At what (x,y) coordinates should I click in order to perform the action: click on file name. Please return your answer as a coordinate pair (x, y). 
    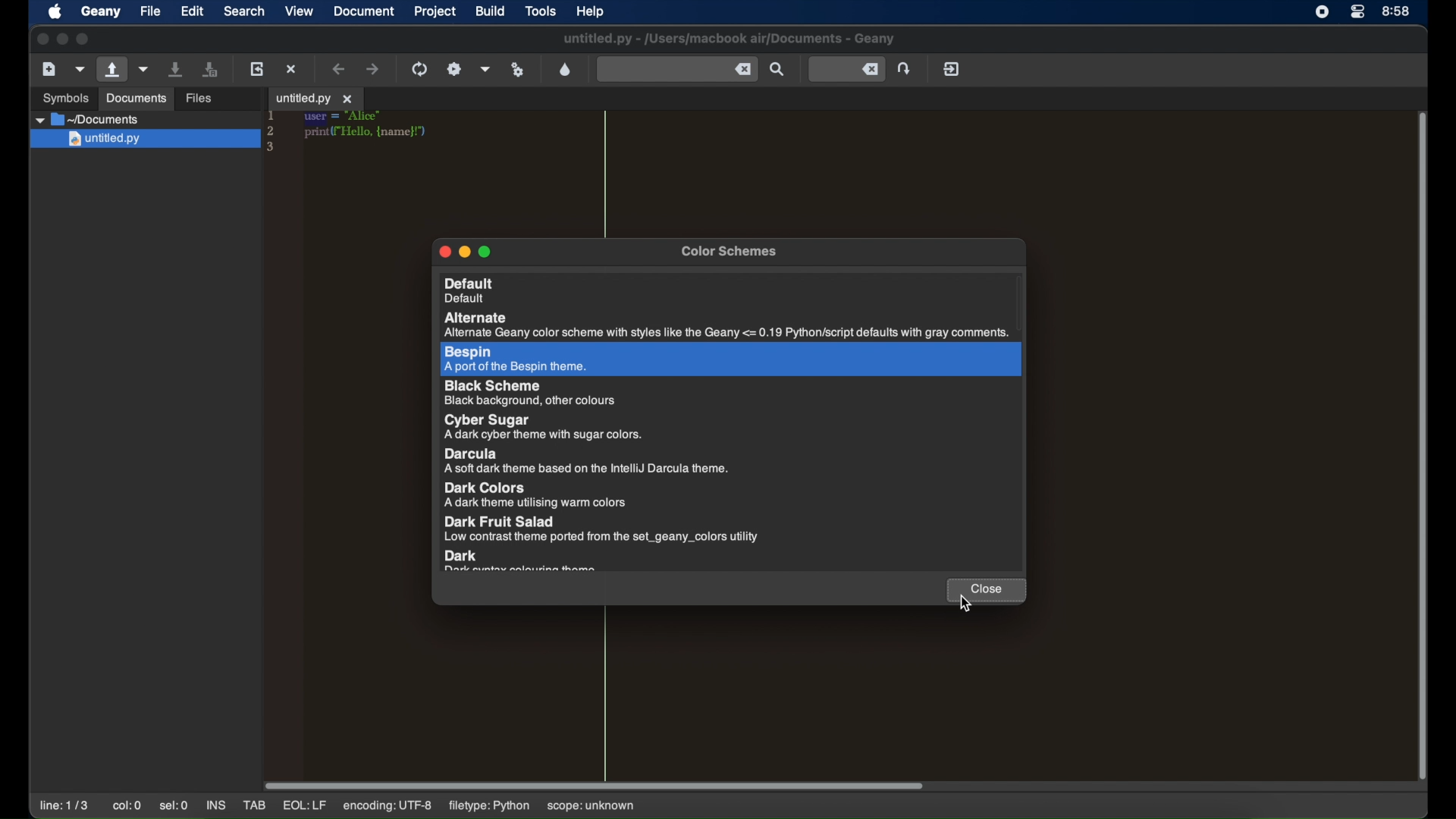
    Looking at the image, I should click on (727, 39).